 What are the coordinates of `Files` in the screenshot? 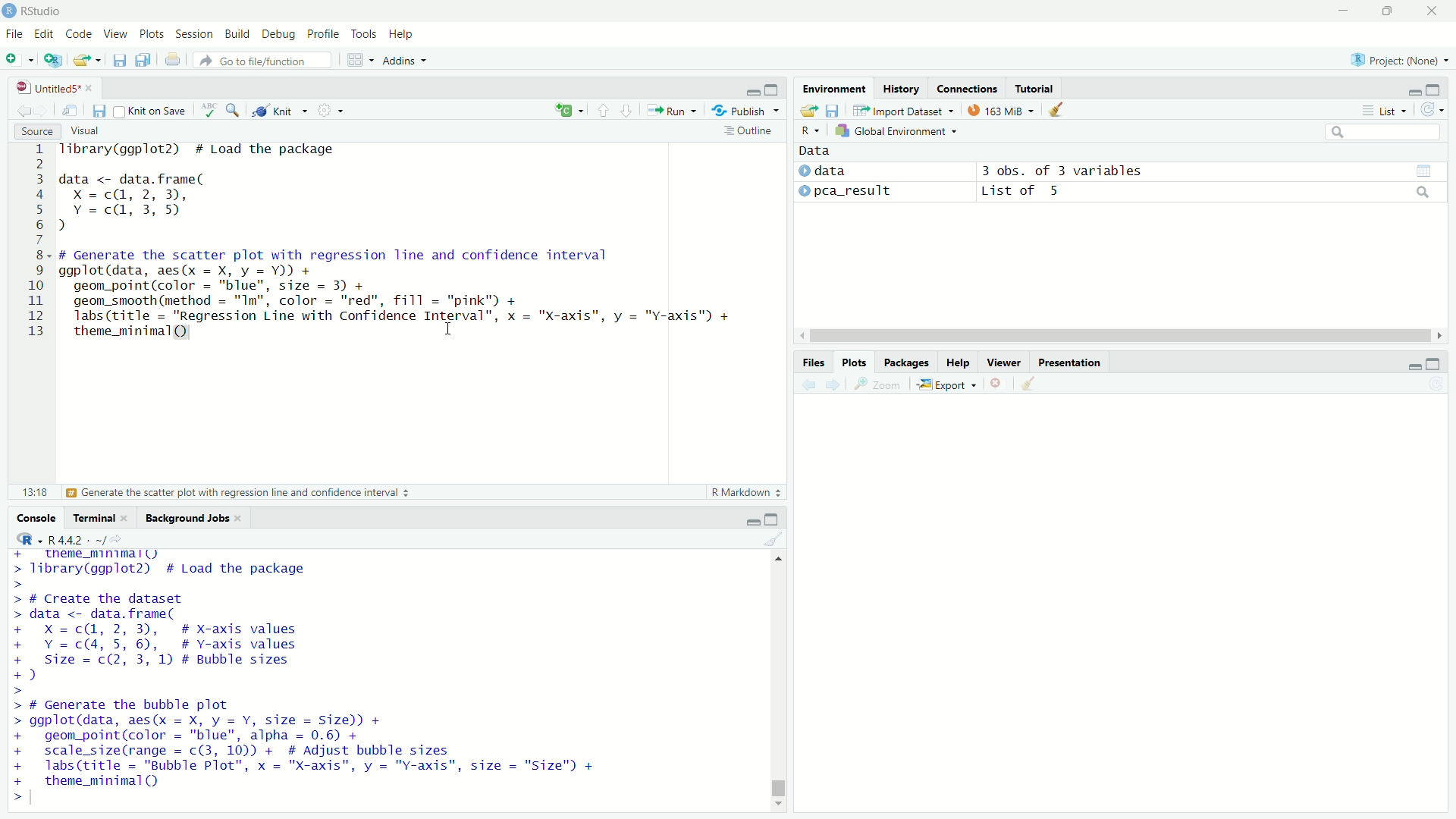 It's located at (814, 362).